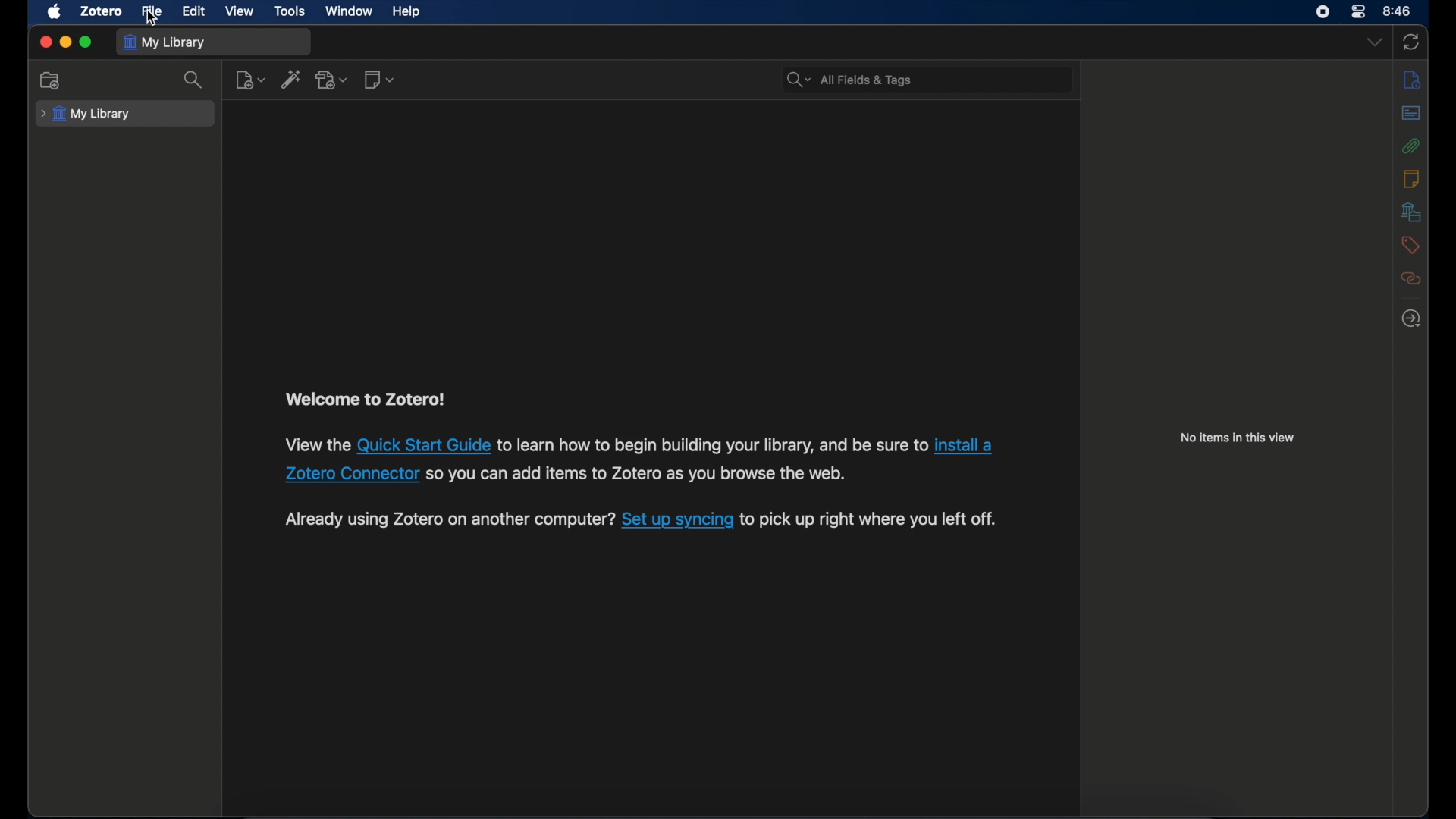 Image resolution: width=1456 pixels, height=819 pixels. What do you see at coordinates (313, 445) in the screenshot?
I see `software information` at bounding box center [313, 445].